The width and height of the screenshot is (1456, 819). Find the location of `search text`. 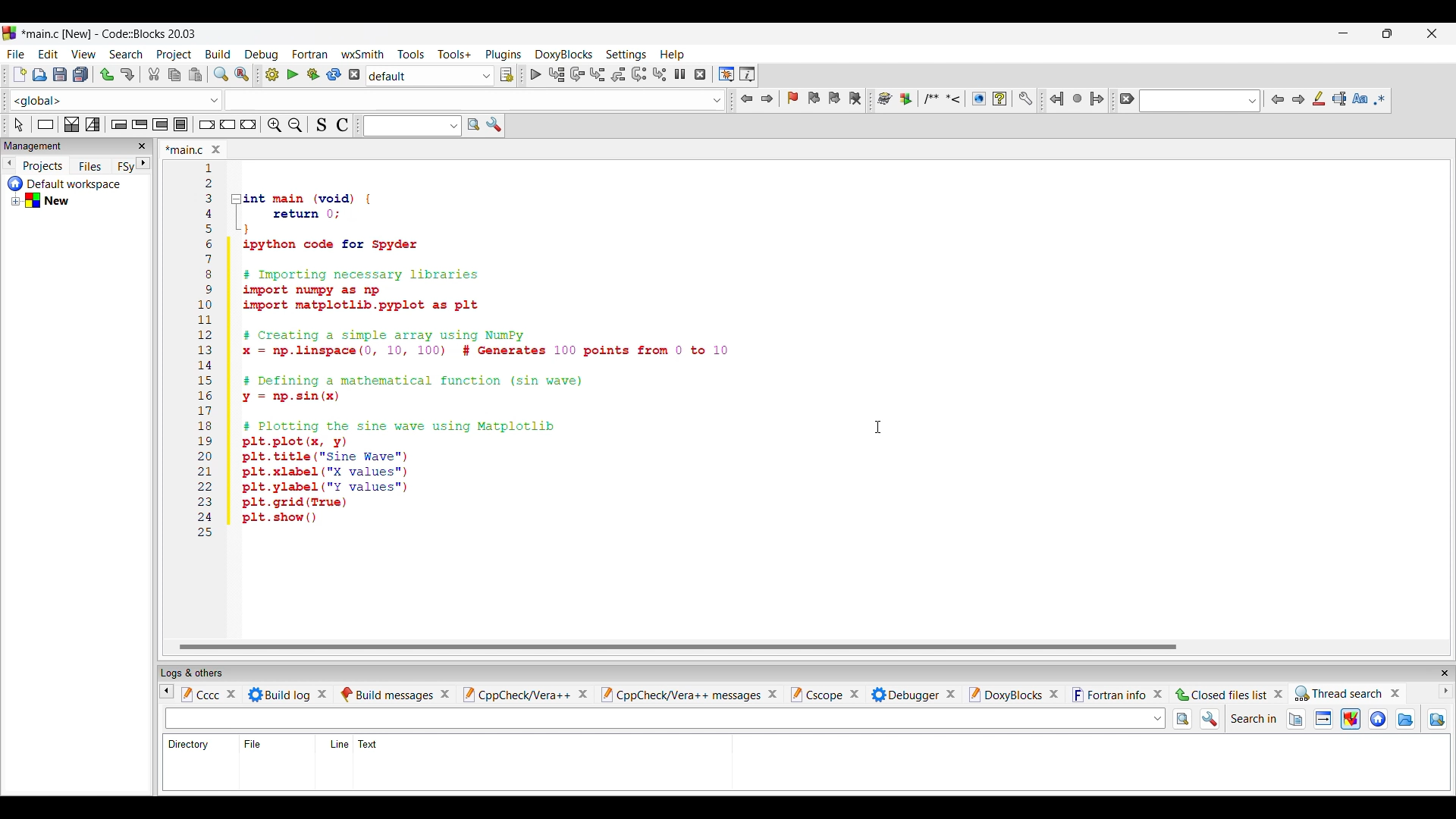

search text is located at coordinates (409, 123).